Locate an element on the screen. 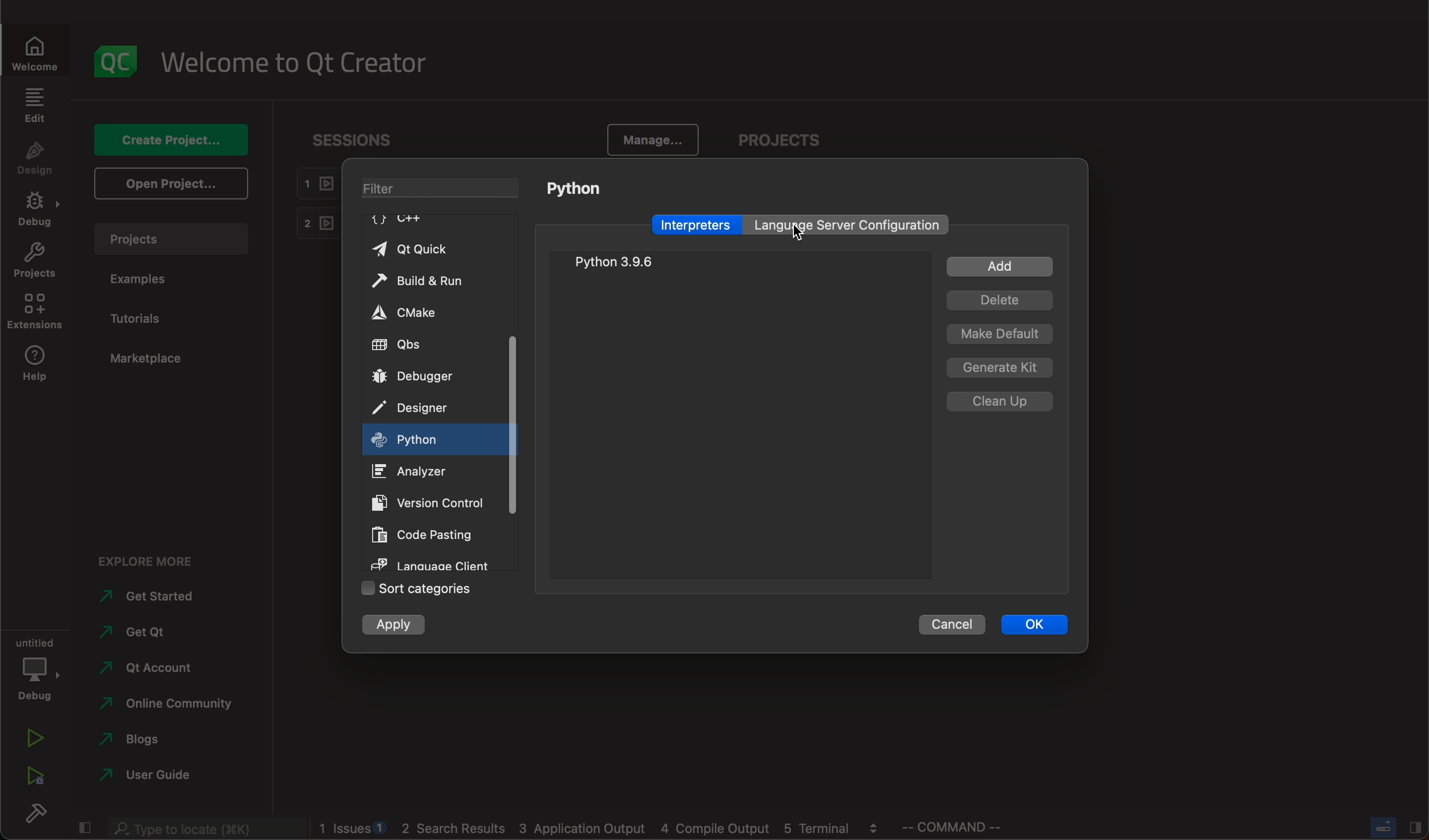 The width and height of the screenshot is (1429, 840). started is located at coordinates (154, 599).